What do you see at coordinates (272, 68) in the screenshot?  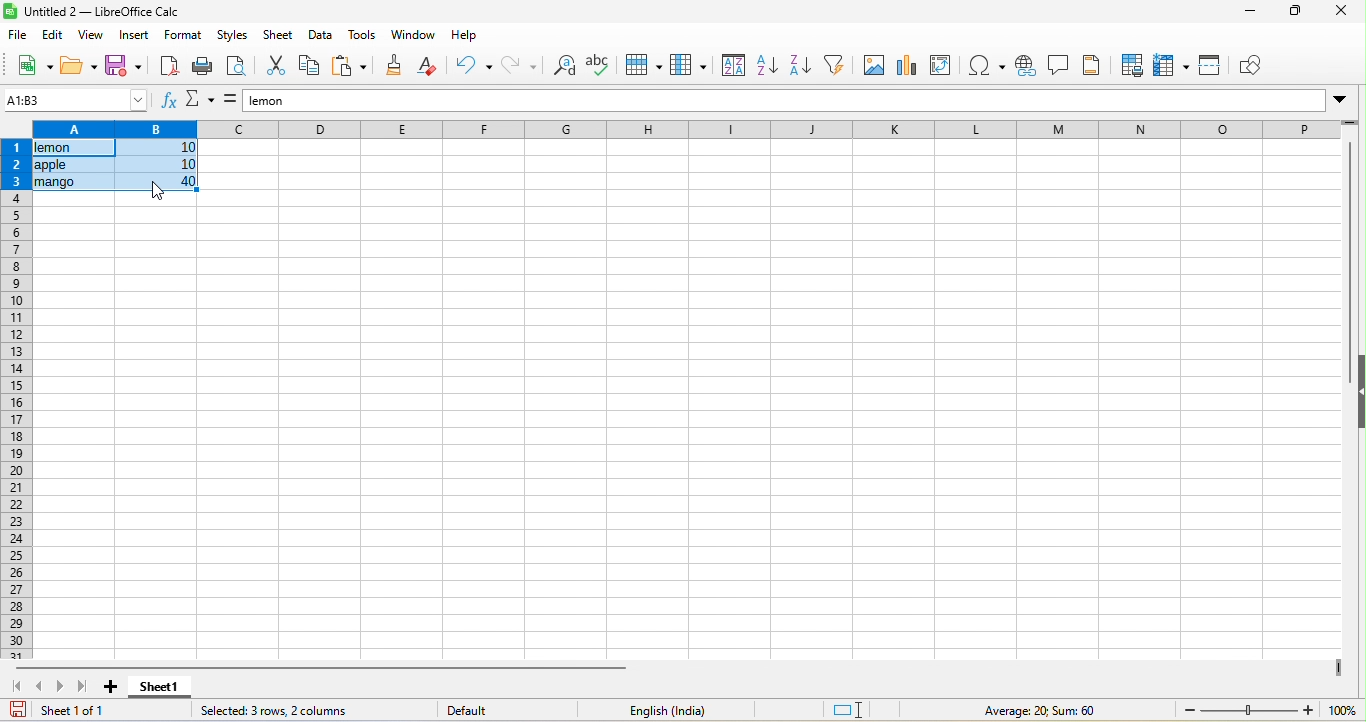 I see `cut` at bounding box center [272, 68].